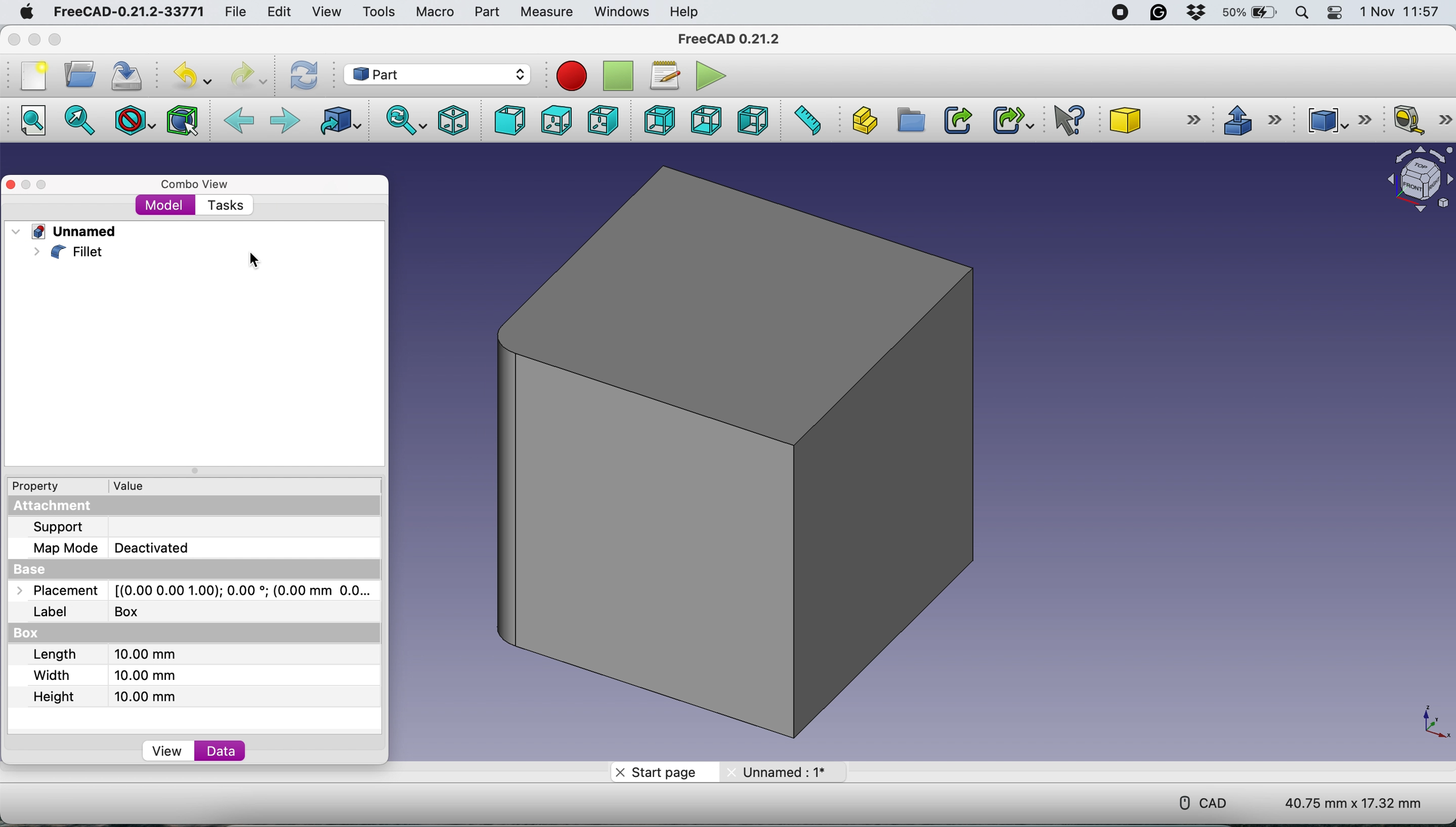  Describe the element at coordinates (1356, 803) in the screenshot. I see `dimensions 40.75 mm x 17.32mm` at that location.